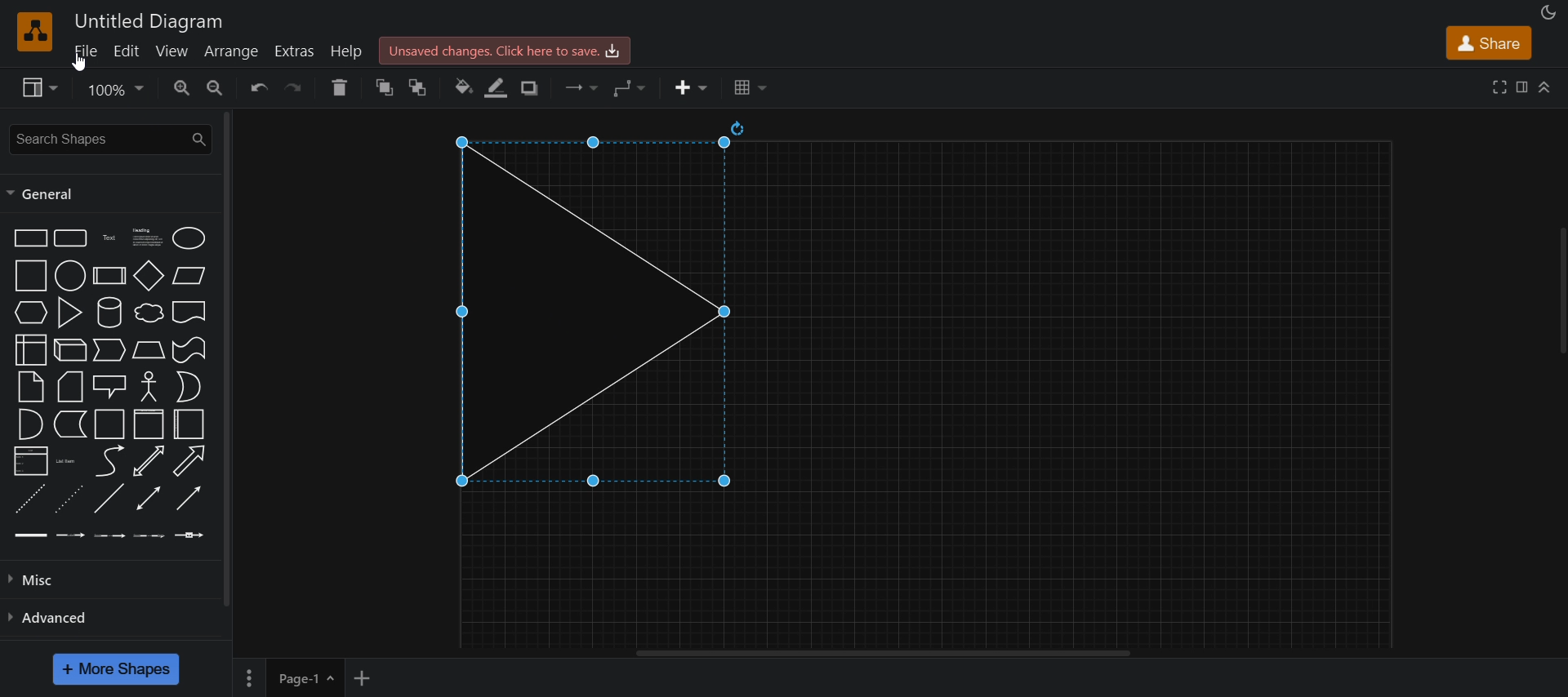 Image resolution: width=1568 pixels, height=697 pixels. Describe the element at coordinates (354, 53) in the screenshot. I see `help` at that location.